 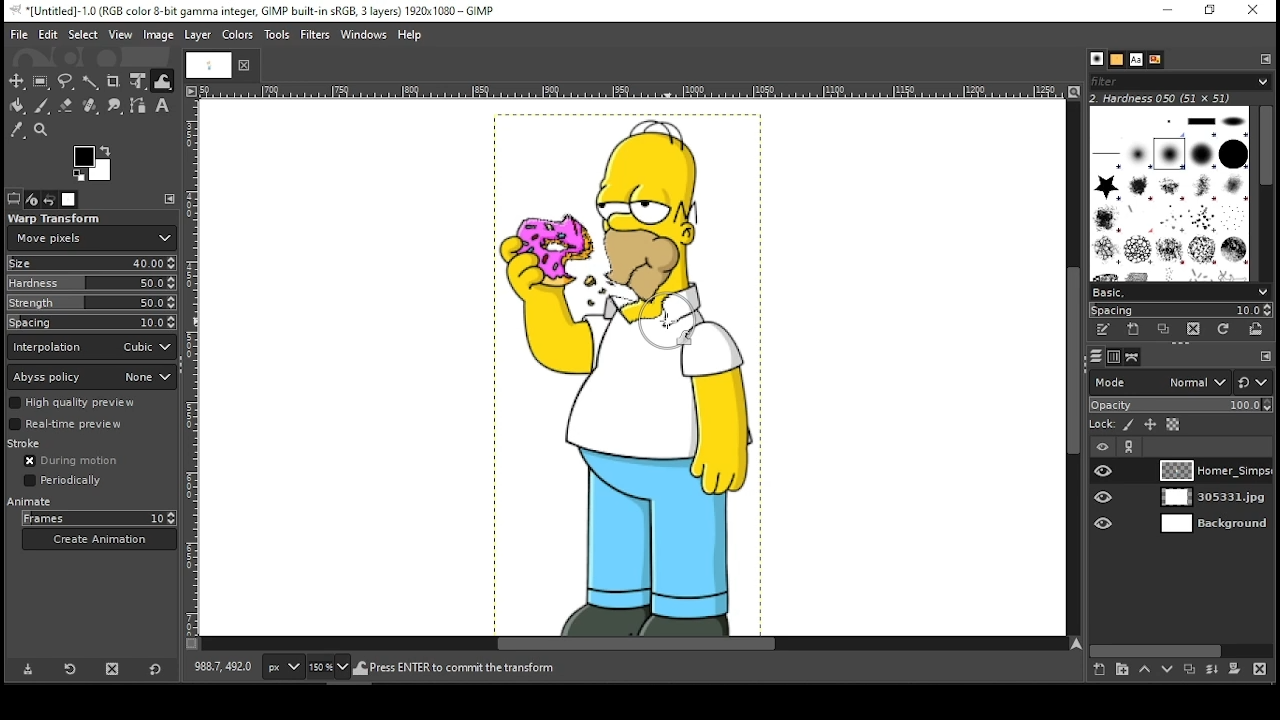 I want to click on colors, so click(x=240, y=35).